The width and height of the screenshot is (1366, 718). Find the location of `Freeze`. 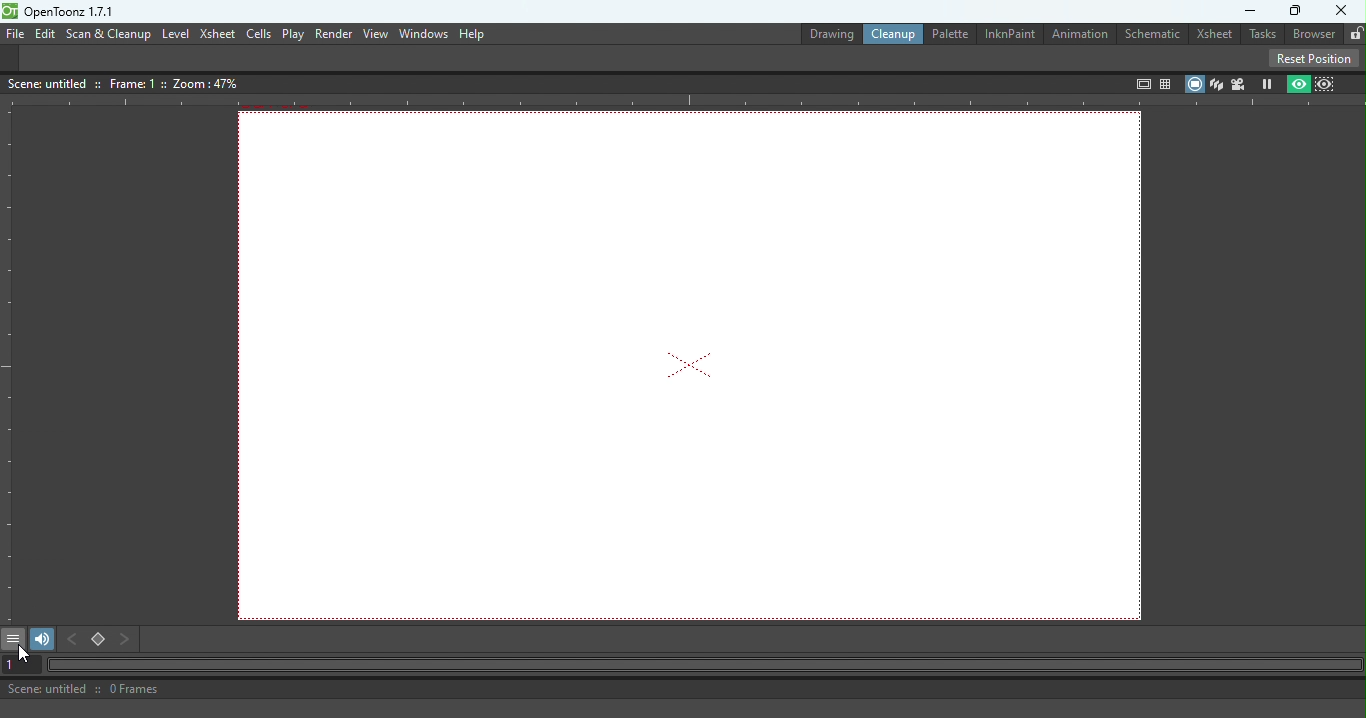

Freeze is located at coordinates (1267, 83).